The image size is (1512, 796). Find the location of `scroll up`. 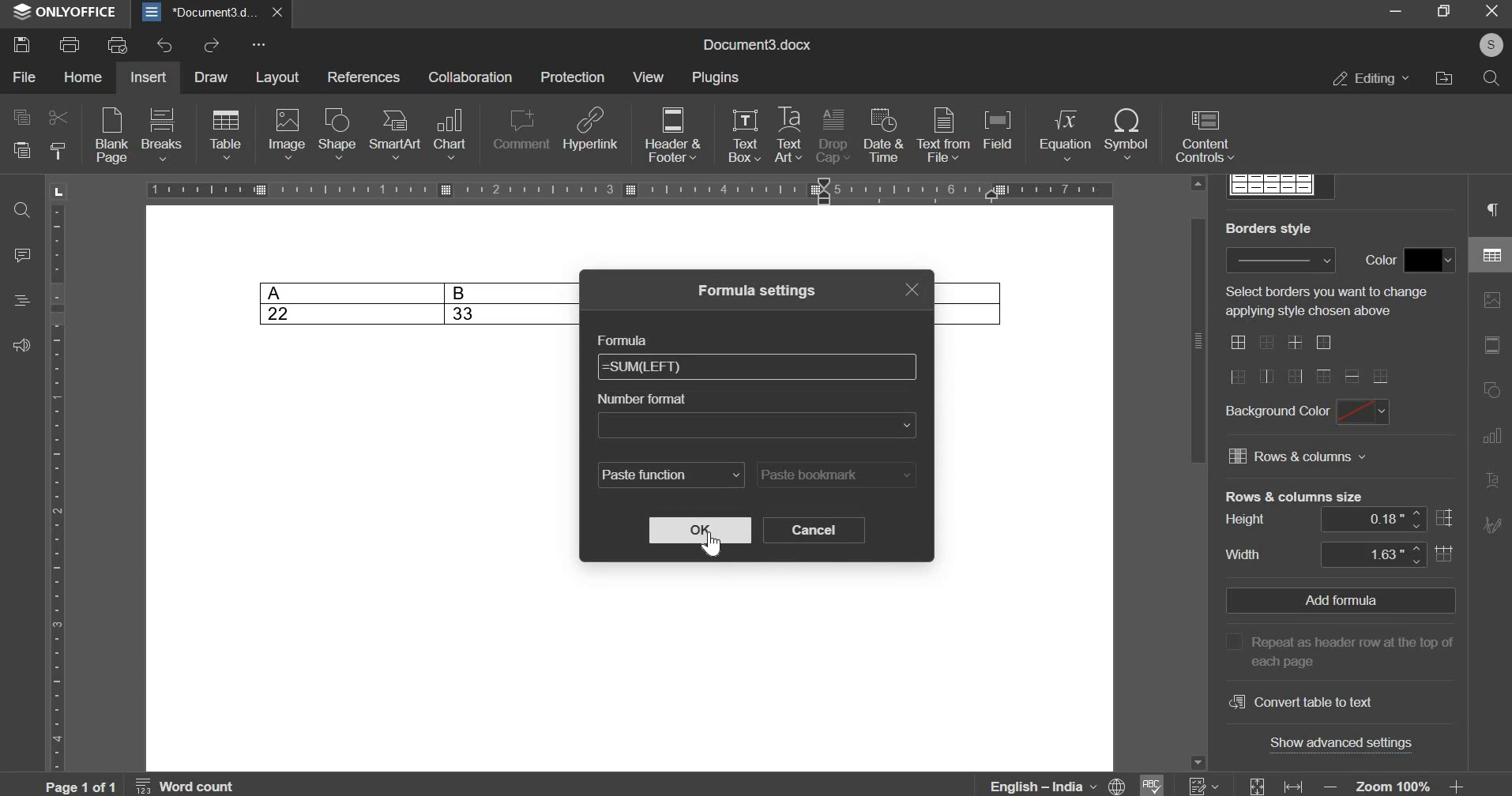

scroll up is located at coordinates (1199, 183).